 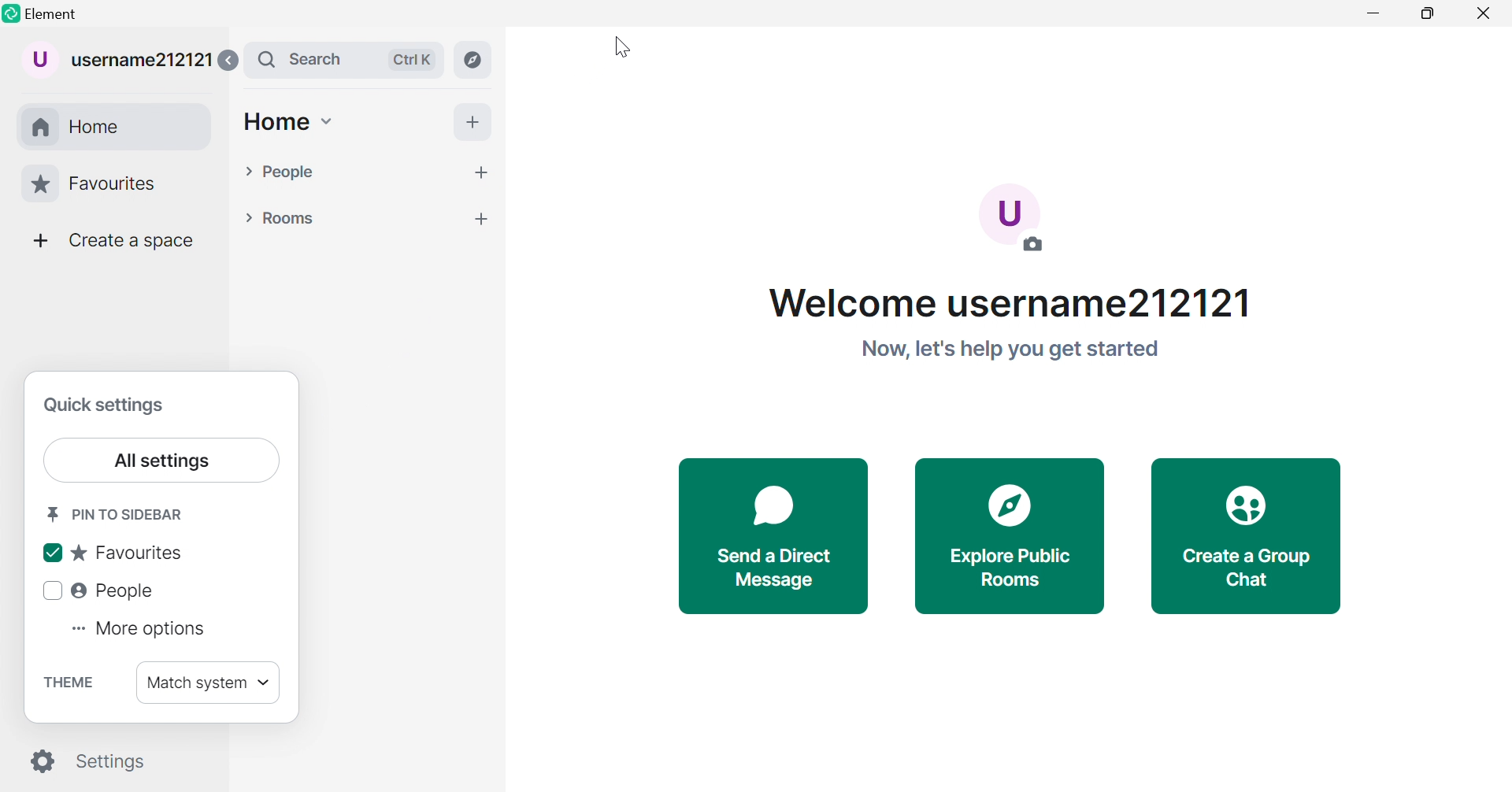 What do you see at coordinates (1009, 350) in the screenshot?
I see `Now, let's help you get started` at bounding box center [1009, 350].